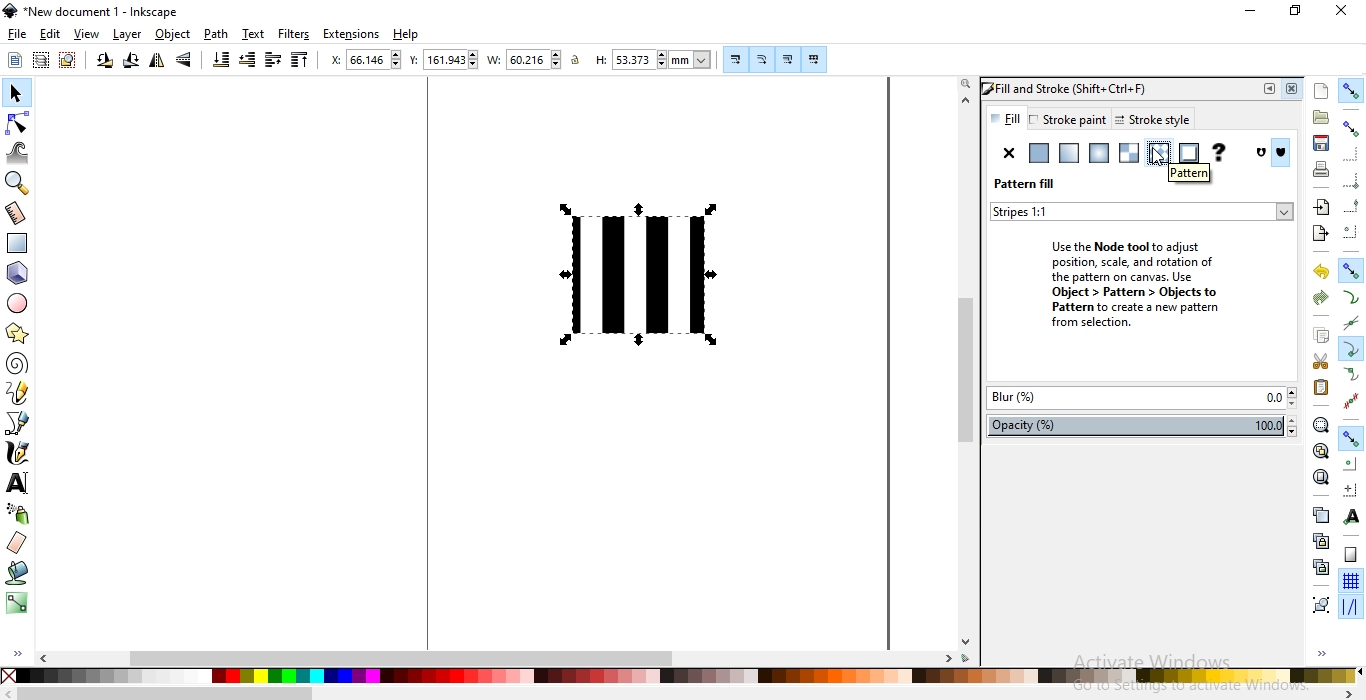 Image resolution: width=1366 pixels, height=700 pixels. I want to click on scrollbar, so click(966, 366).